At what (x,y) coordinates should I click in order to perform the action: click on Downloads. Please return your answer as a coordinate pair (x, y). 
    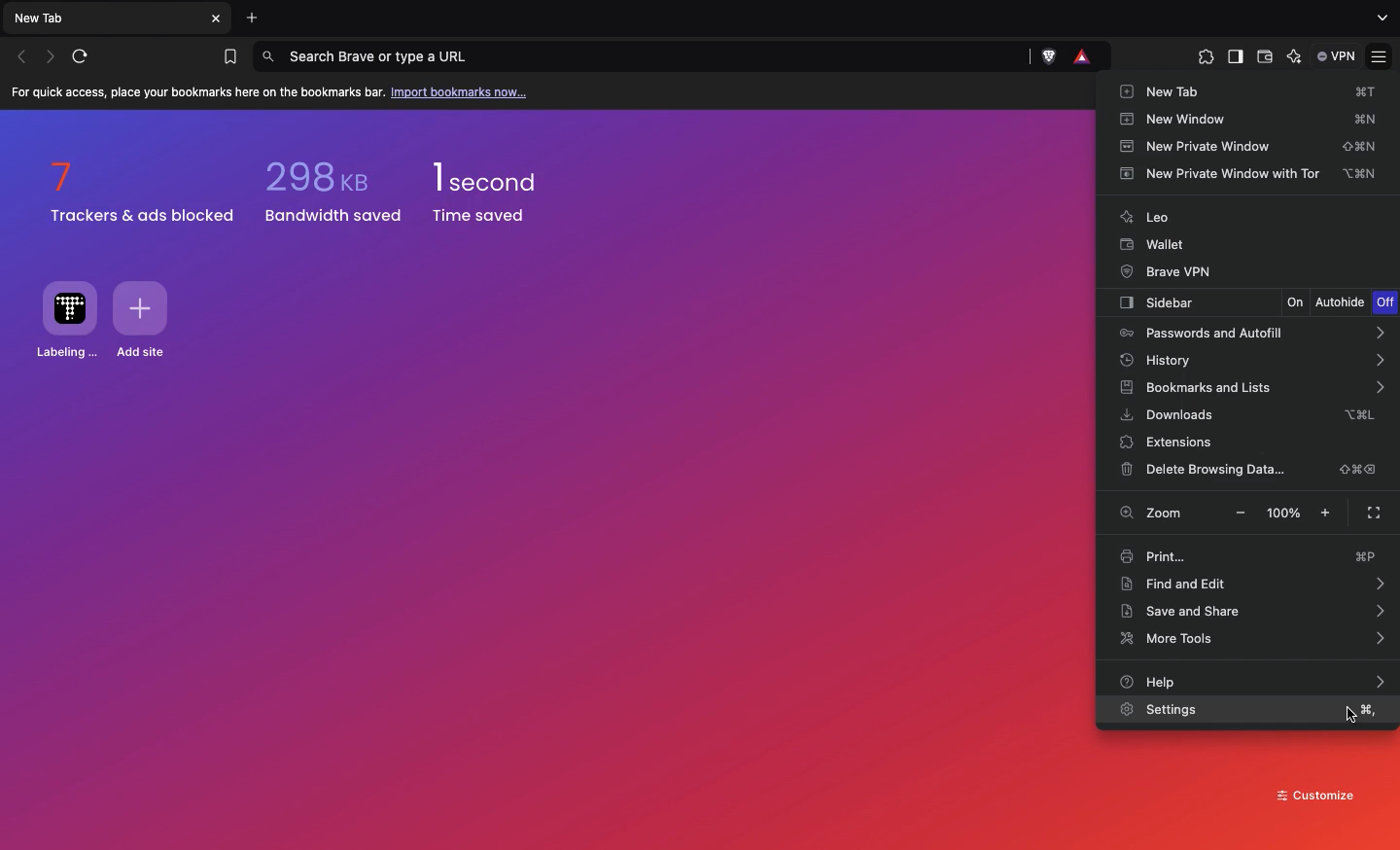
    Looking at the image, I should click on (1248, 416).